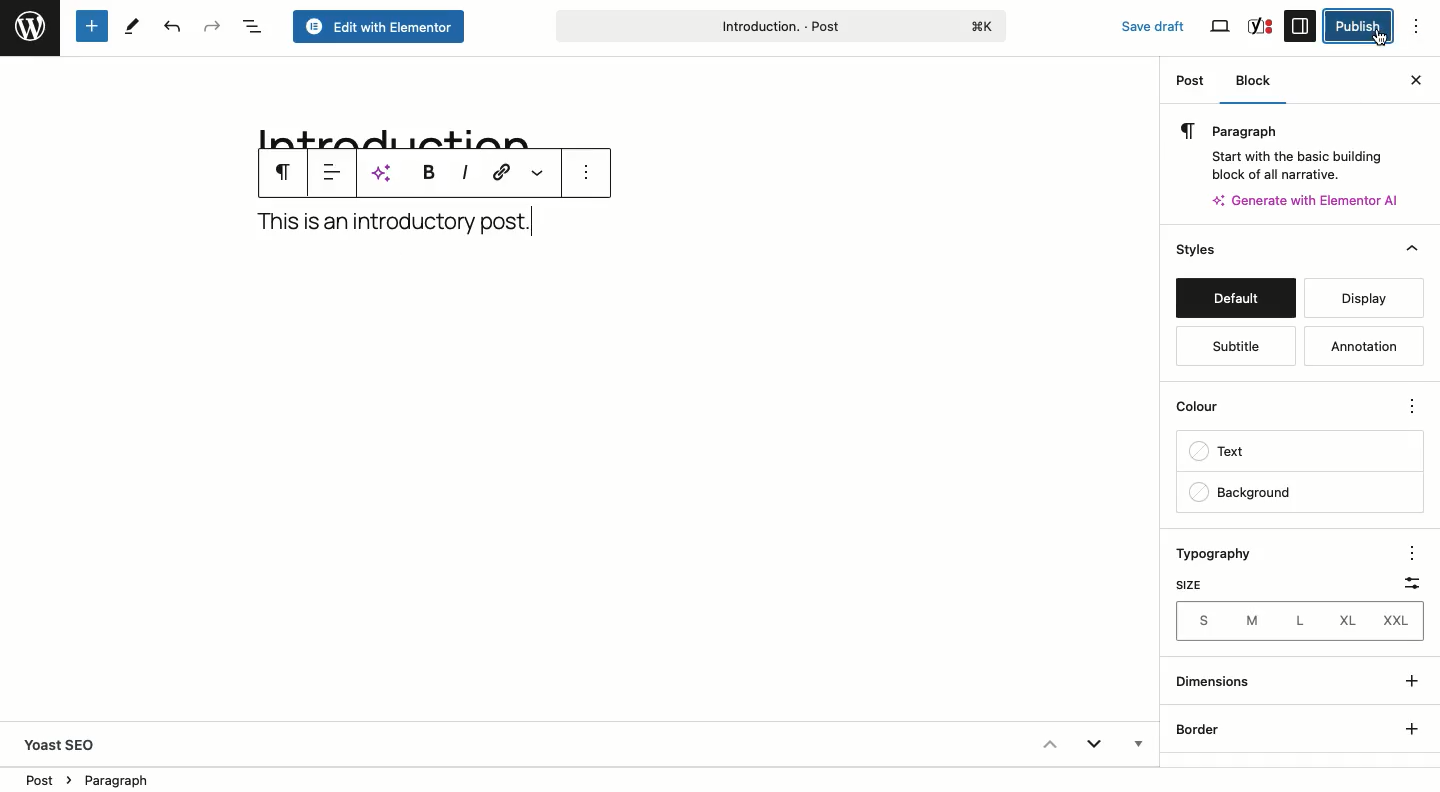 Image resolution: width=1440 pixels, height=792 pixels. What do you see at coordinates (1380, 36) in the screenshot?
I see `Cursor` at bounding box center [1380, 36].